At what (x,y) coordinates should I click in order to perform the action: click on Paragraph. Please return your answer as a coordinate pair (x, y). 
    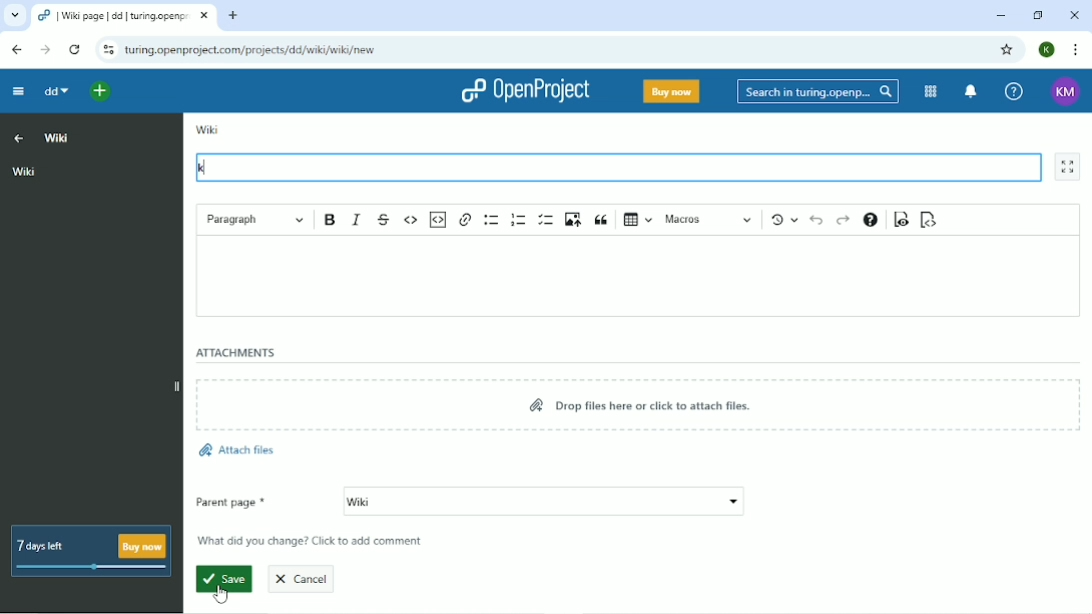
    Looking at the image, I should click on (256, 219).